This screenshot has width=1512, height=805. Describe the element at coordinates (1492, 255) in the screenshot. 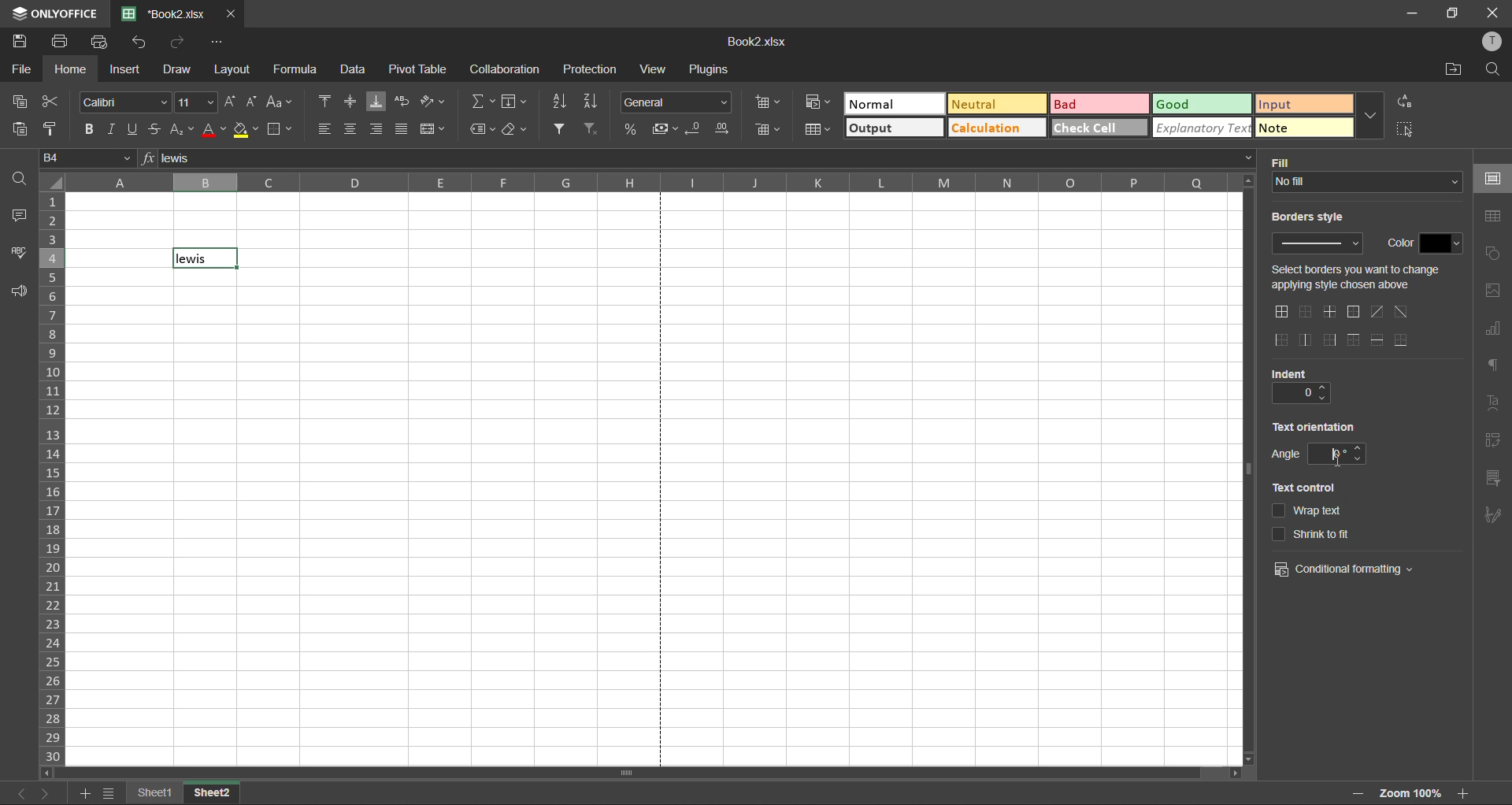

I see `shapes` at that location.